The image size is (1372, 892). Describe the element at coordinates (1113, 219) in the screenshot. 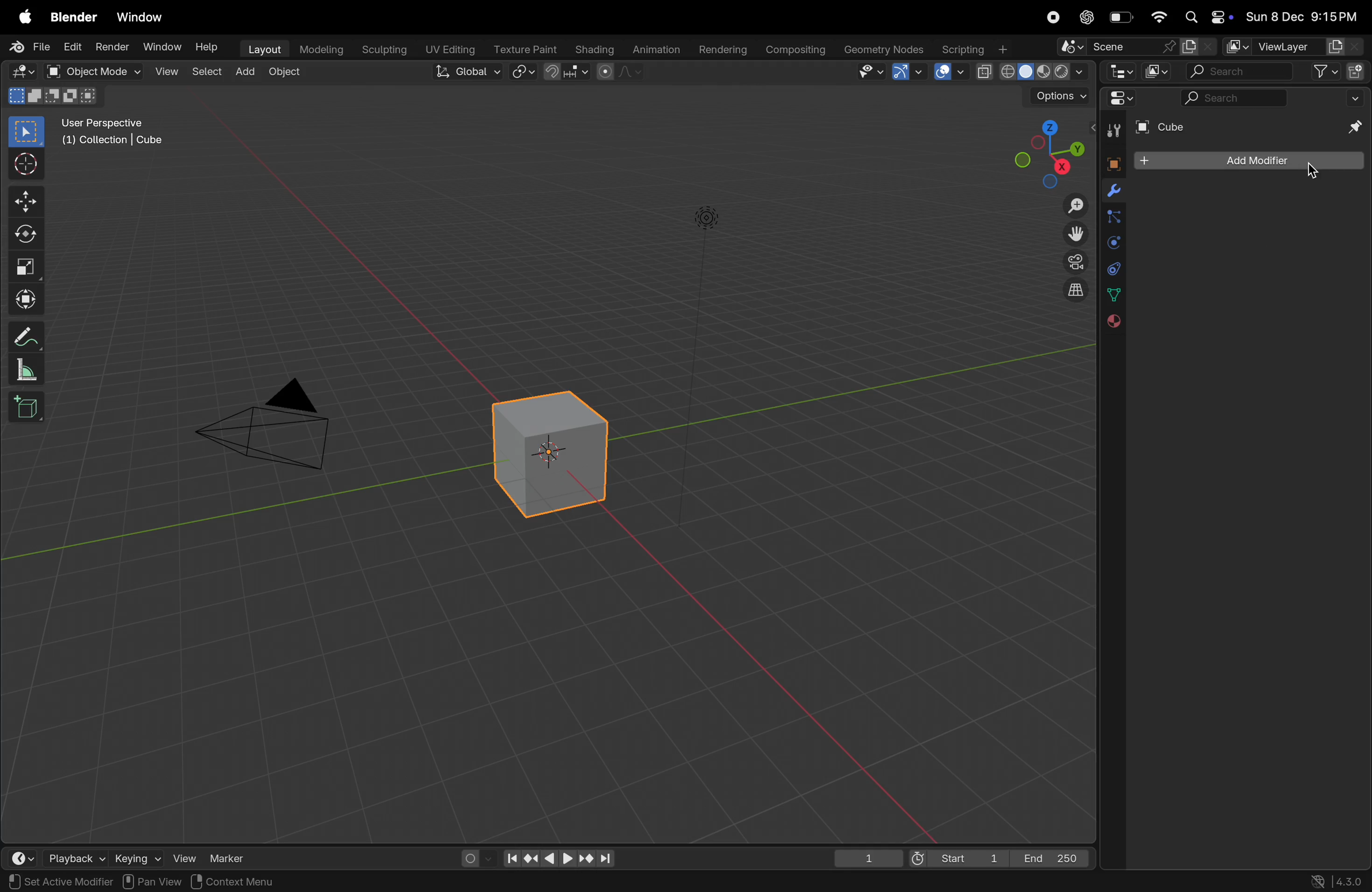

I see `particles` at that location.